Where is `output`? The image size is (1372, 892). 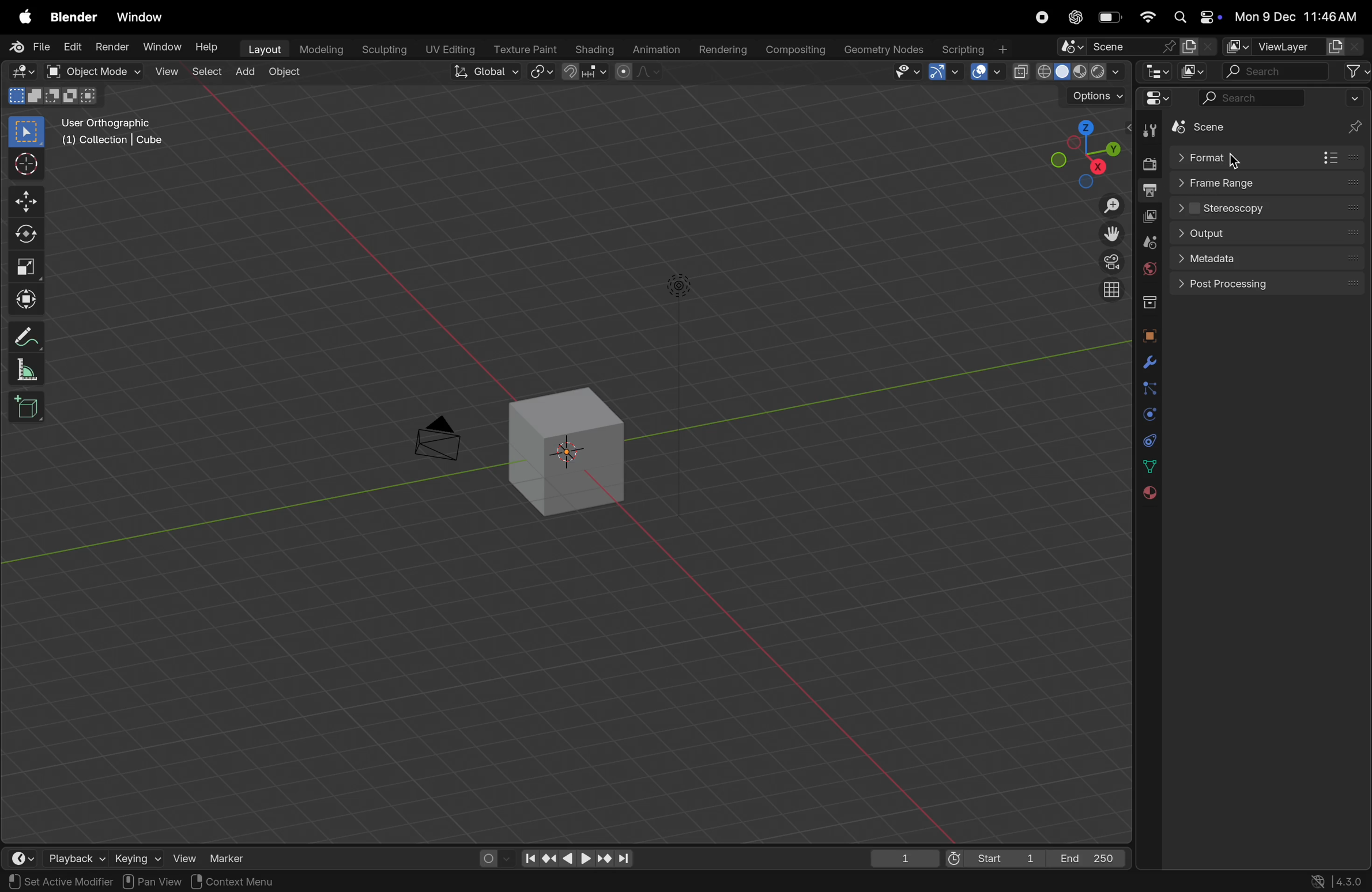
output is located at coordinates (1272, 234).